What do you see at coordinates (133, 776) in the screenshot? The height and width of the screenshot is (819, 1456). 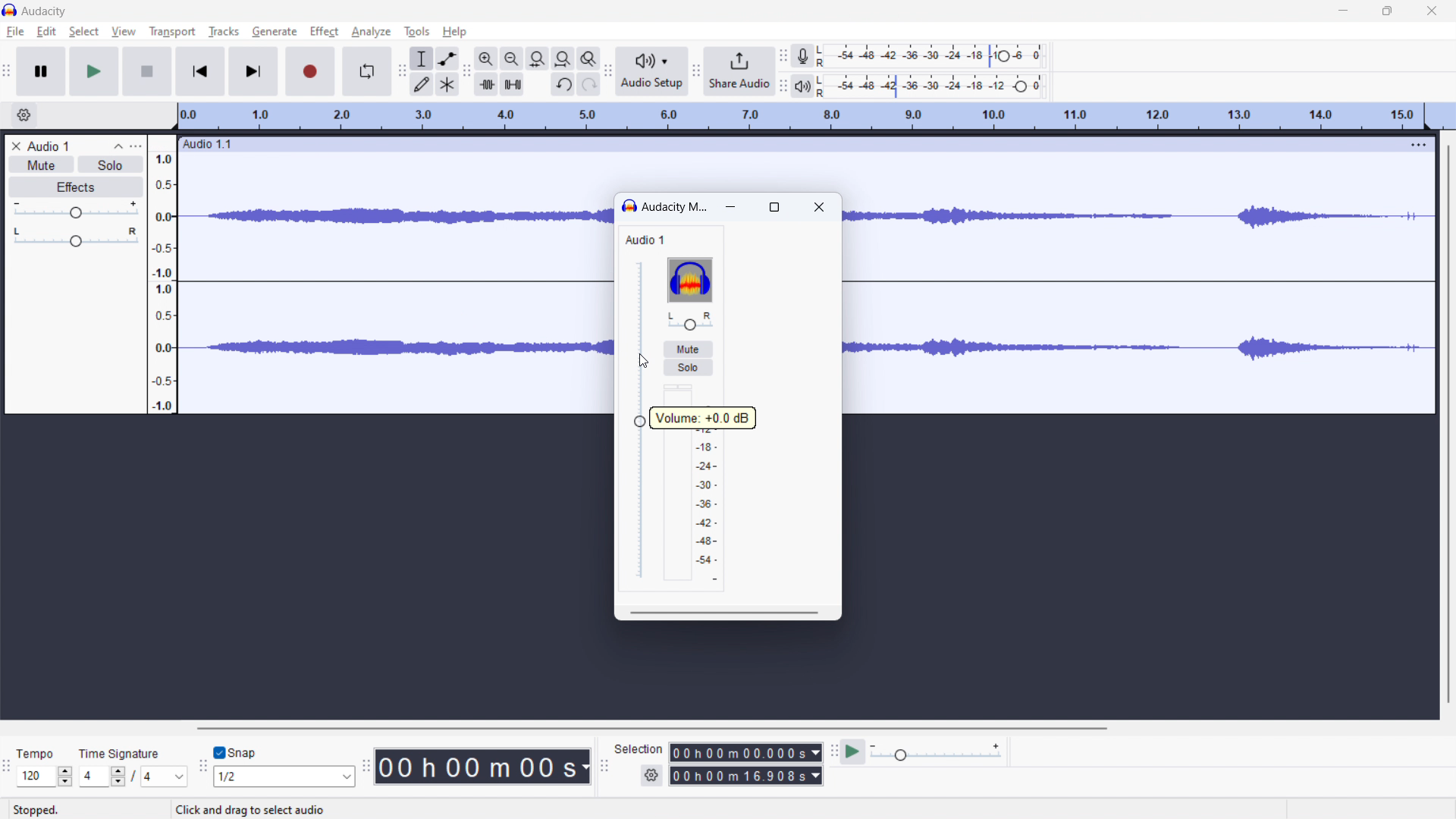 I see `set time signature` at bounding box center [133, 776].